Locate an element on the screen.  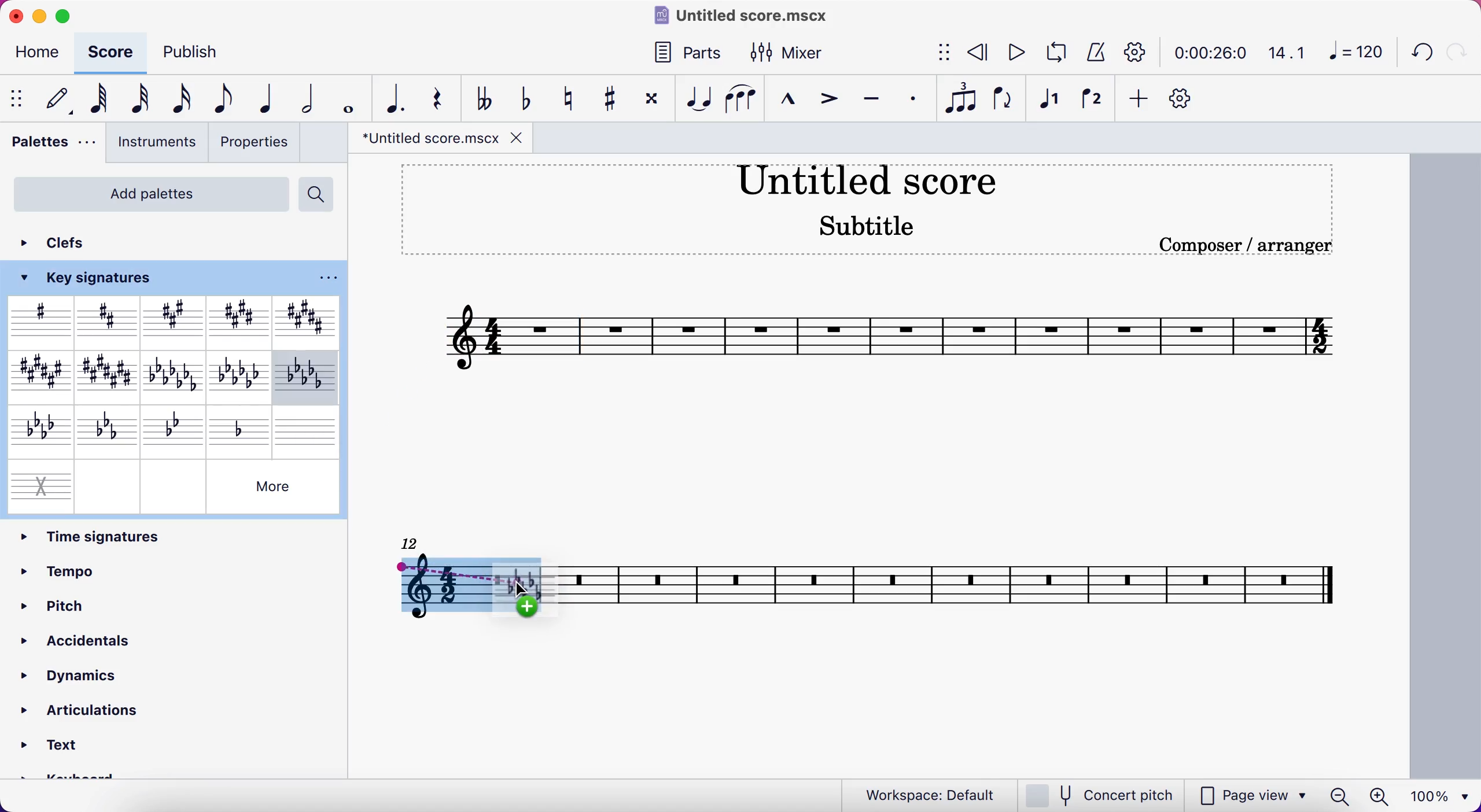
mixer is located at coordinates (795, 55).